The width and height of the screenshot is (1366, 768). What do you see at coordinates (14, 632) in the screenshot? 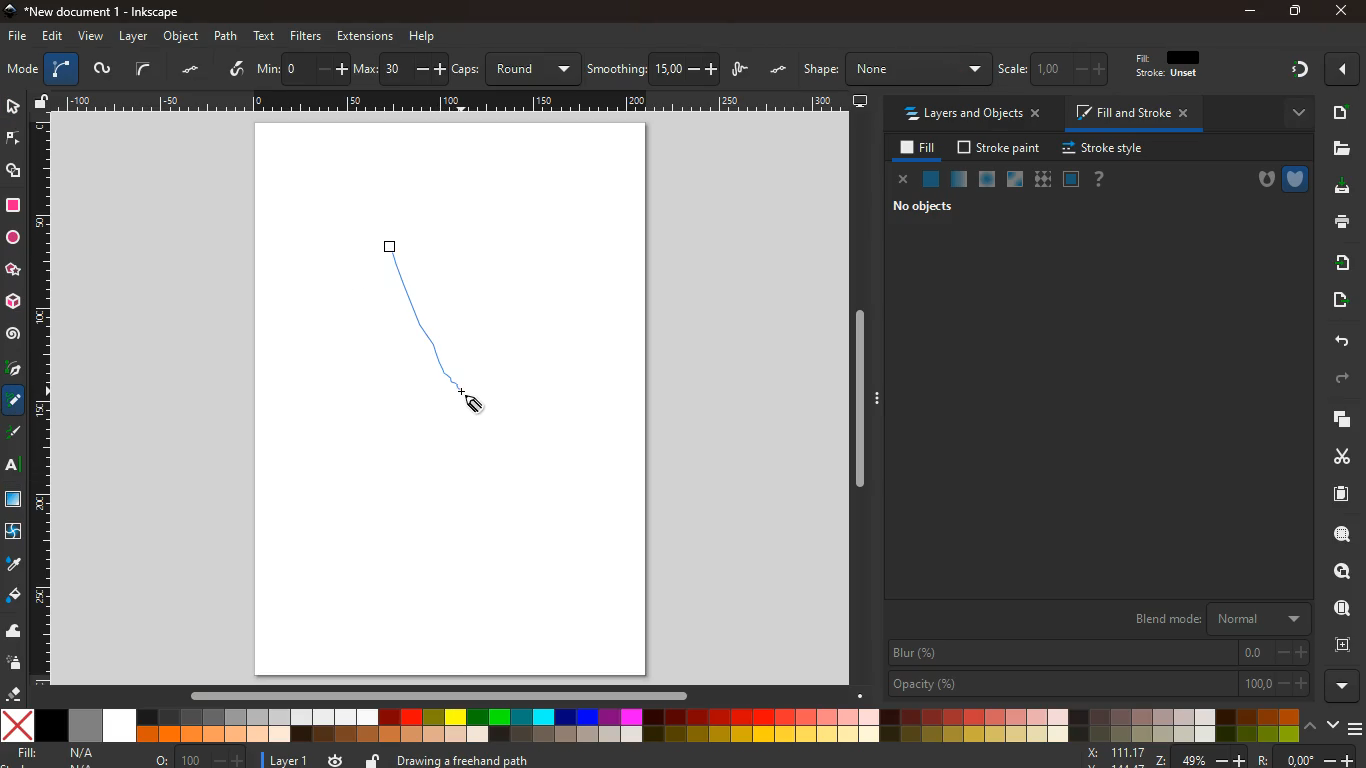
I see `wave` at bounding box center [14, 632].